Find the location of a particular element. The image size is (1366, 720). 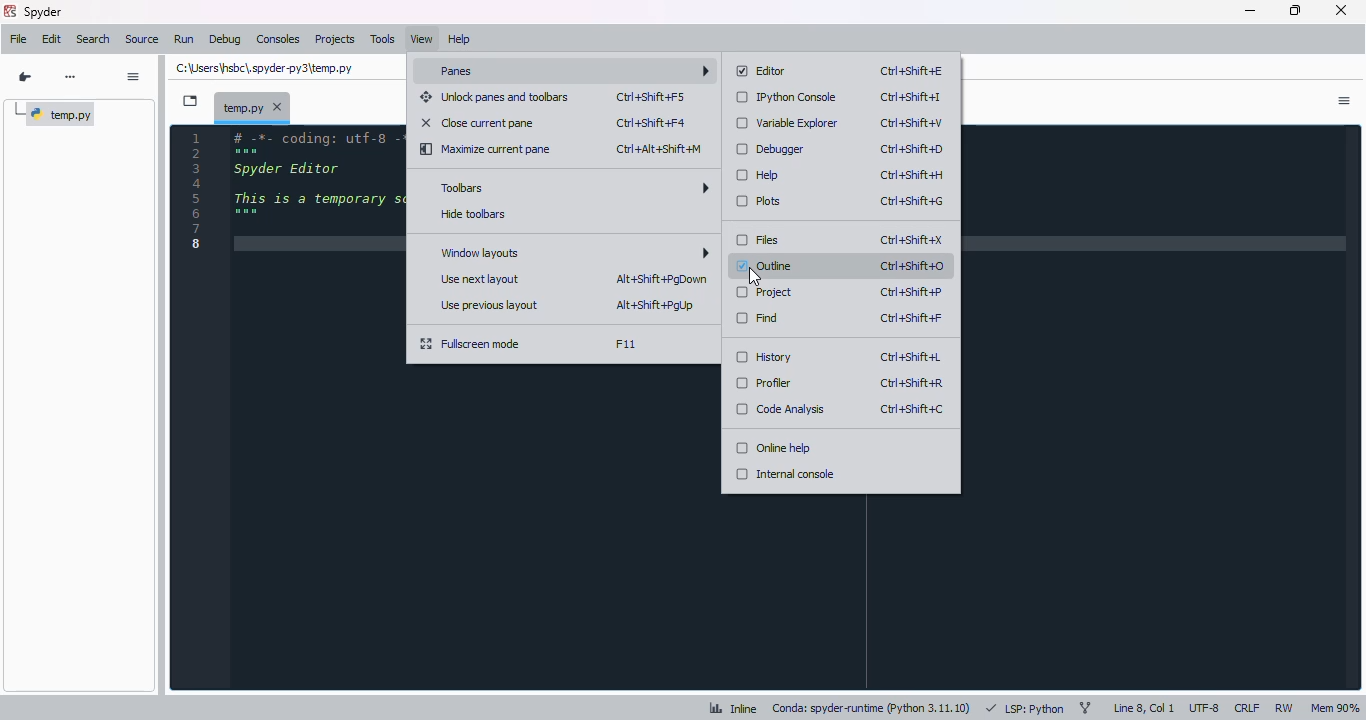

mem 90% is located at coordinates (1334, 708).